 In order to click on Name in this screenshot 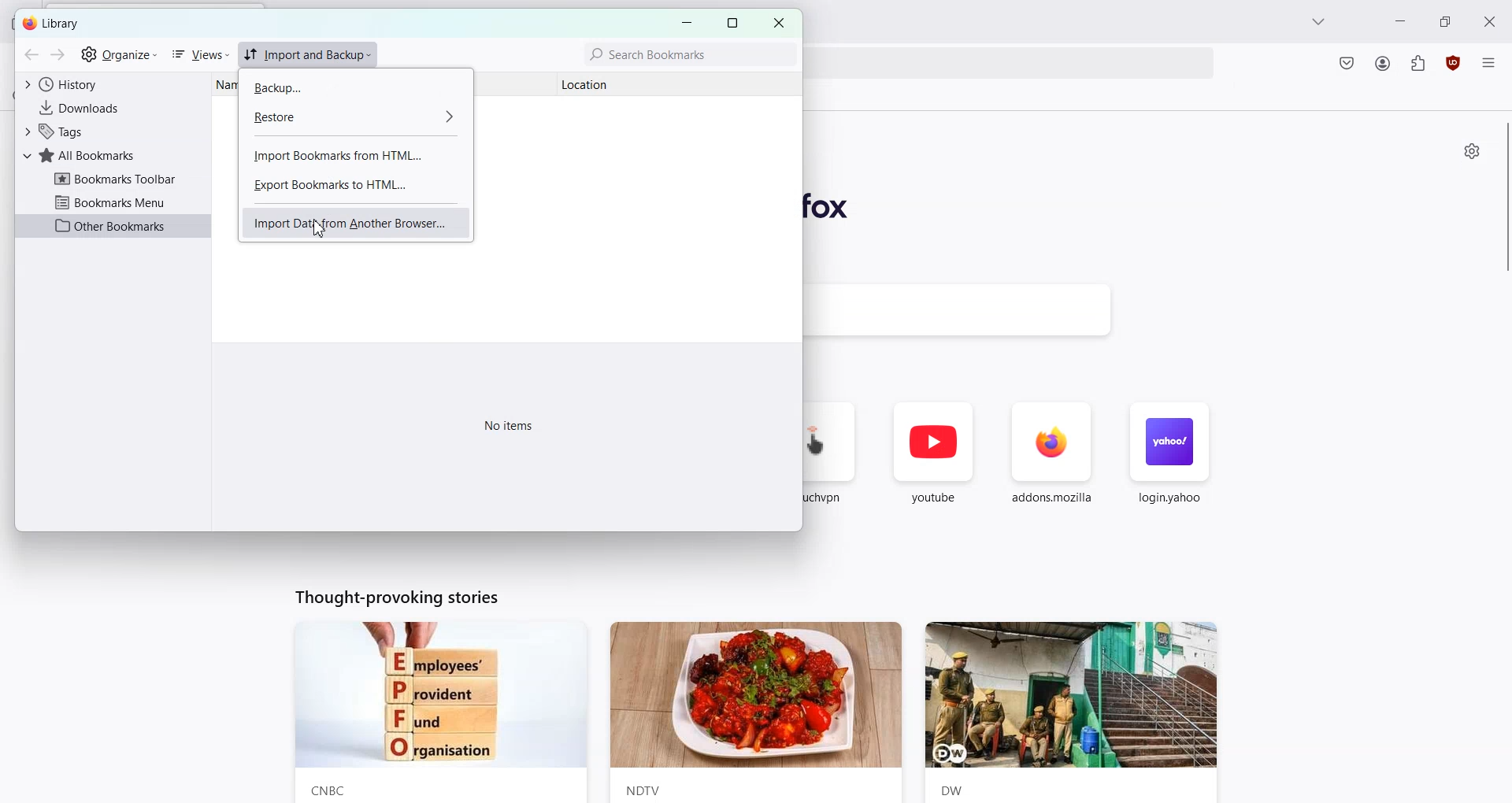, I will do `click(224, 85)`.